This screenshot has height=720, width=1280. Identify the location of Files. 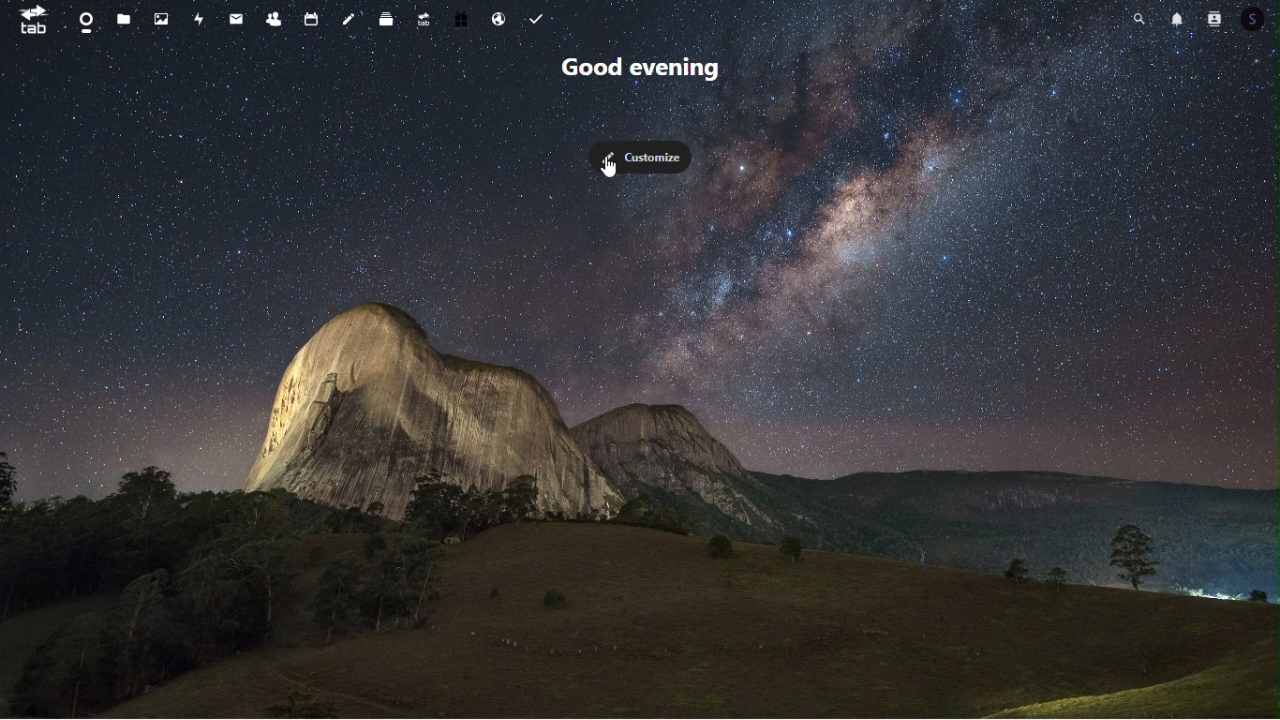
(119, 18).